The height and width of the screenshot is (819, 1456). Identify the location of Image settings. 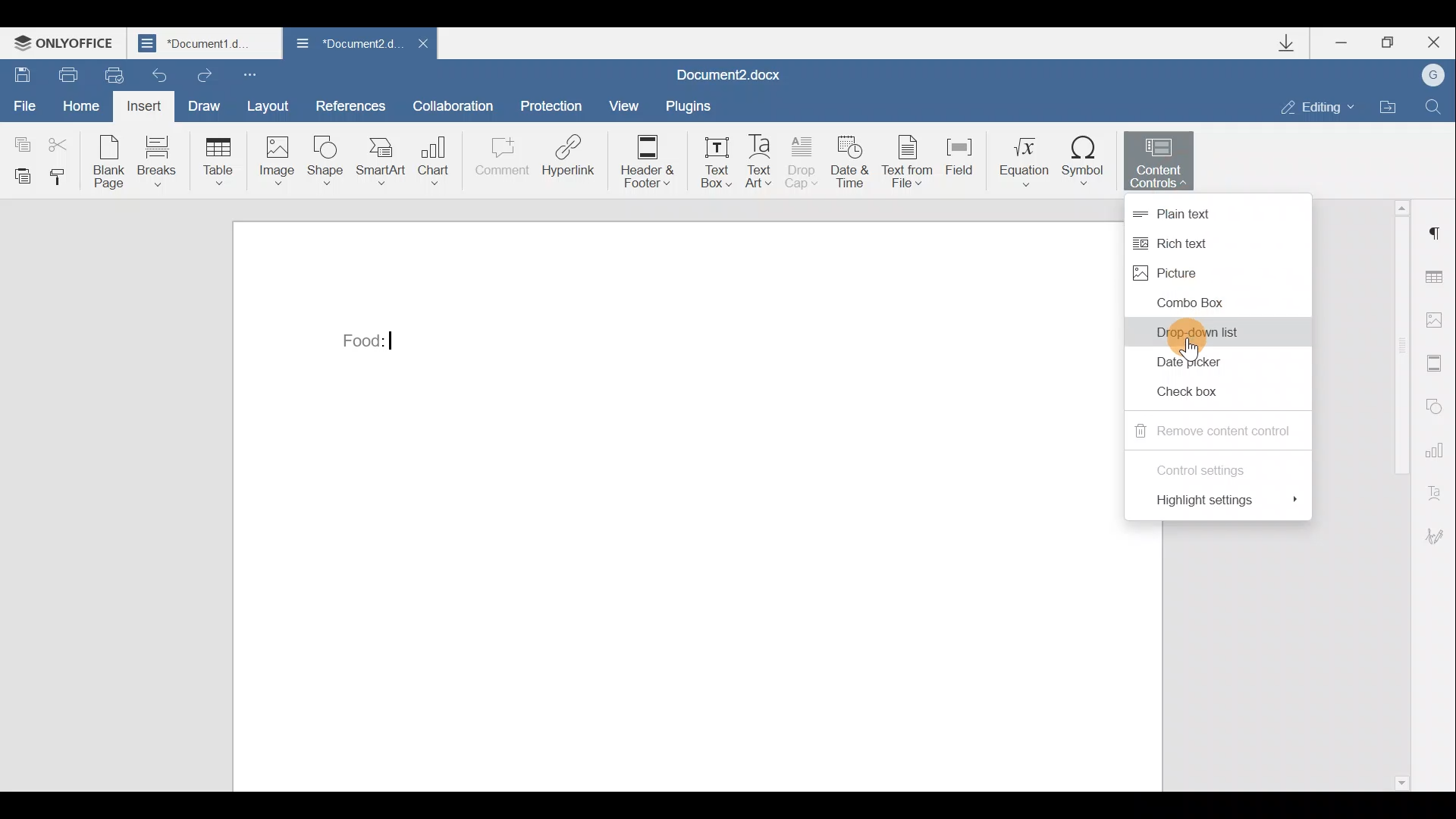
(1438, 320).